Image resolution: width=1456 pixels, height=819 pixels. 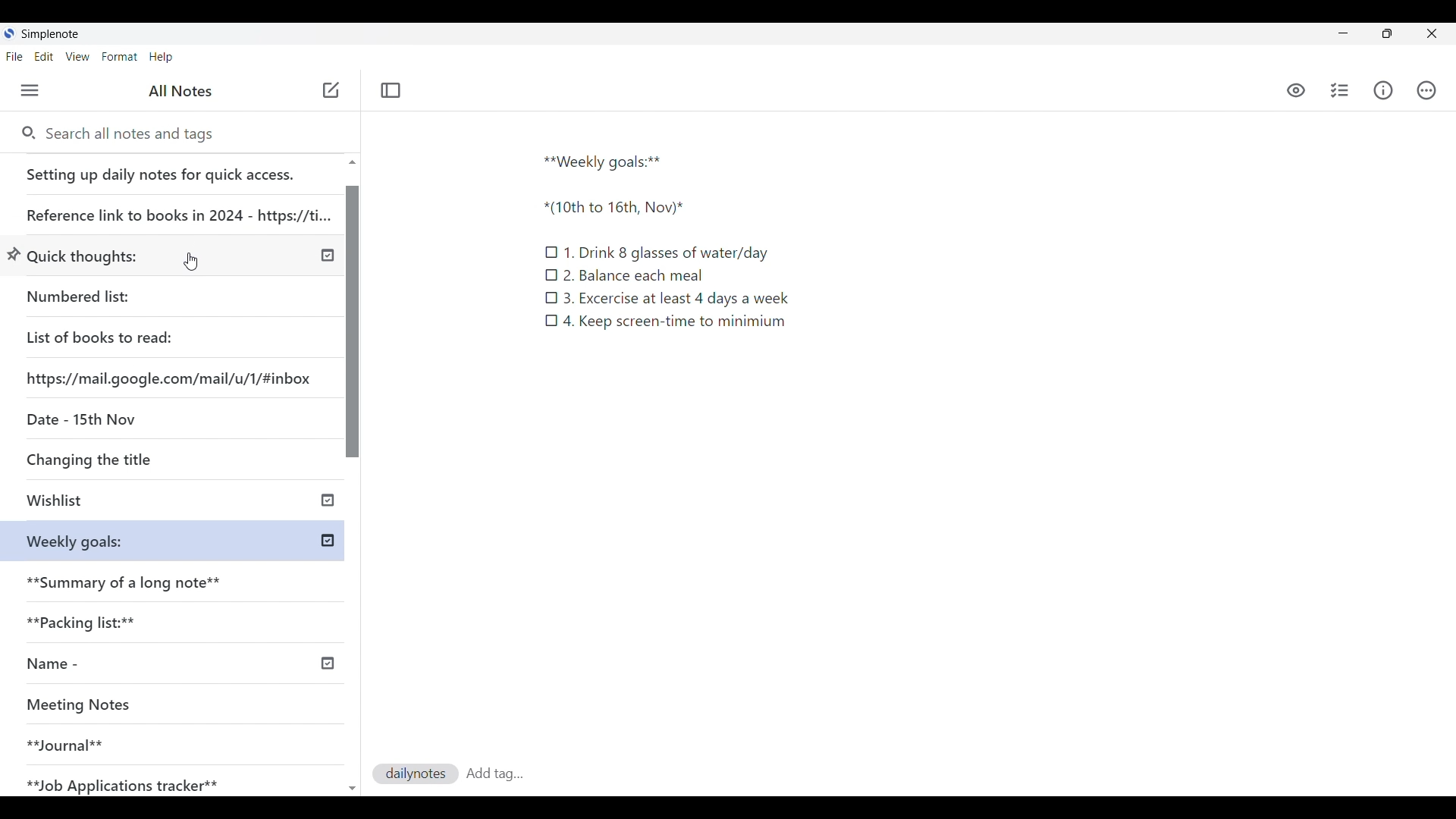 What do you see at coordinates (190, 262) in the screenshot?
I see `Cursor clicking on another note from earlier` at bounding box center [190, 262].